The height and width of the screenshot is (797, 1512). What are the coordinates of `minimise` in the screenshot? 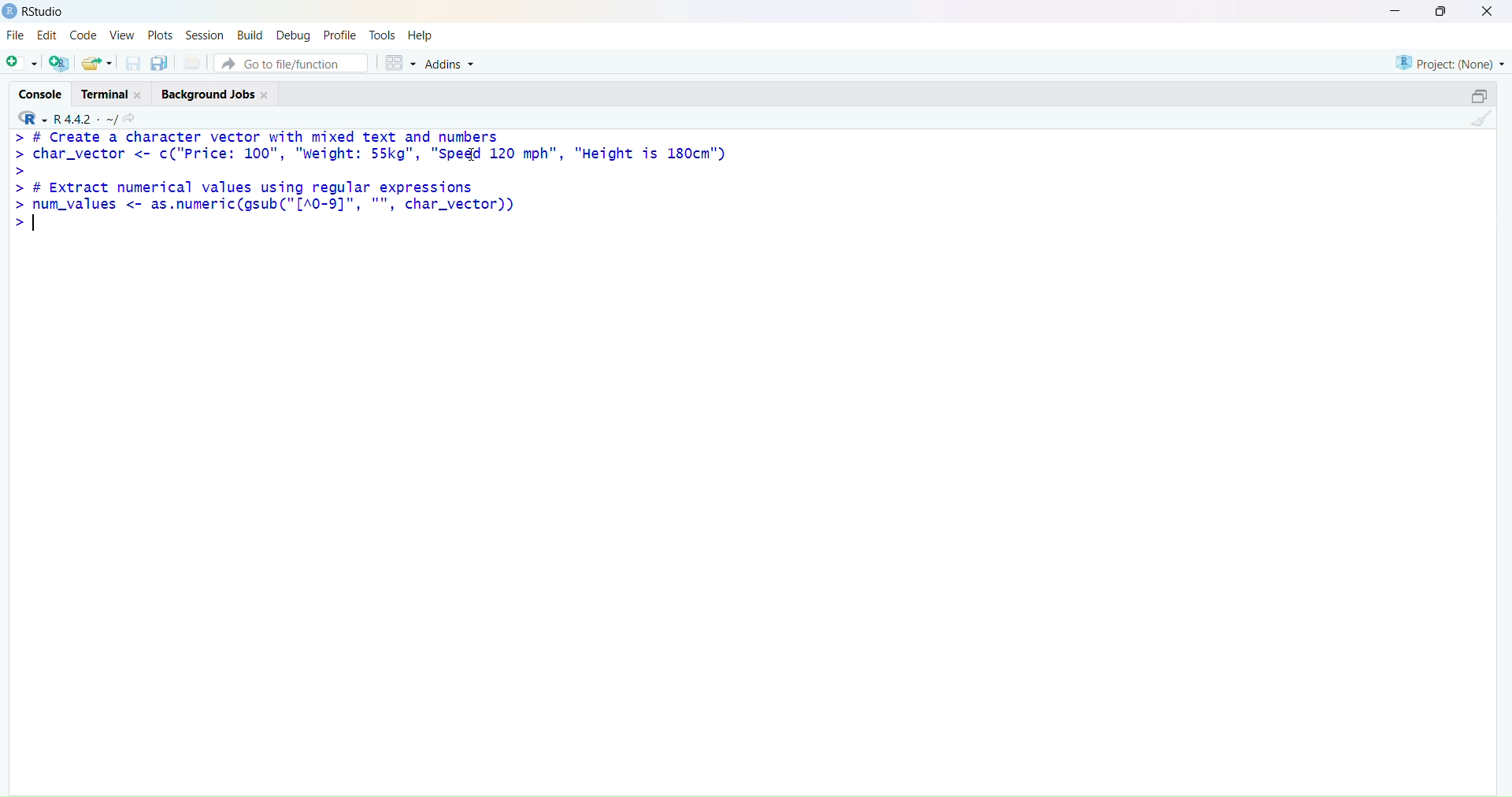 It's located at (1396, 10).